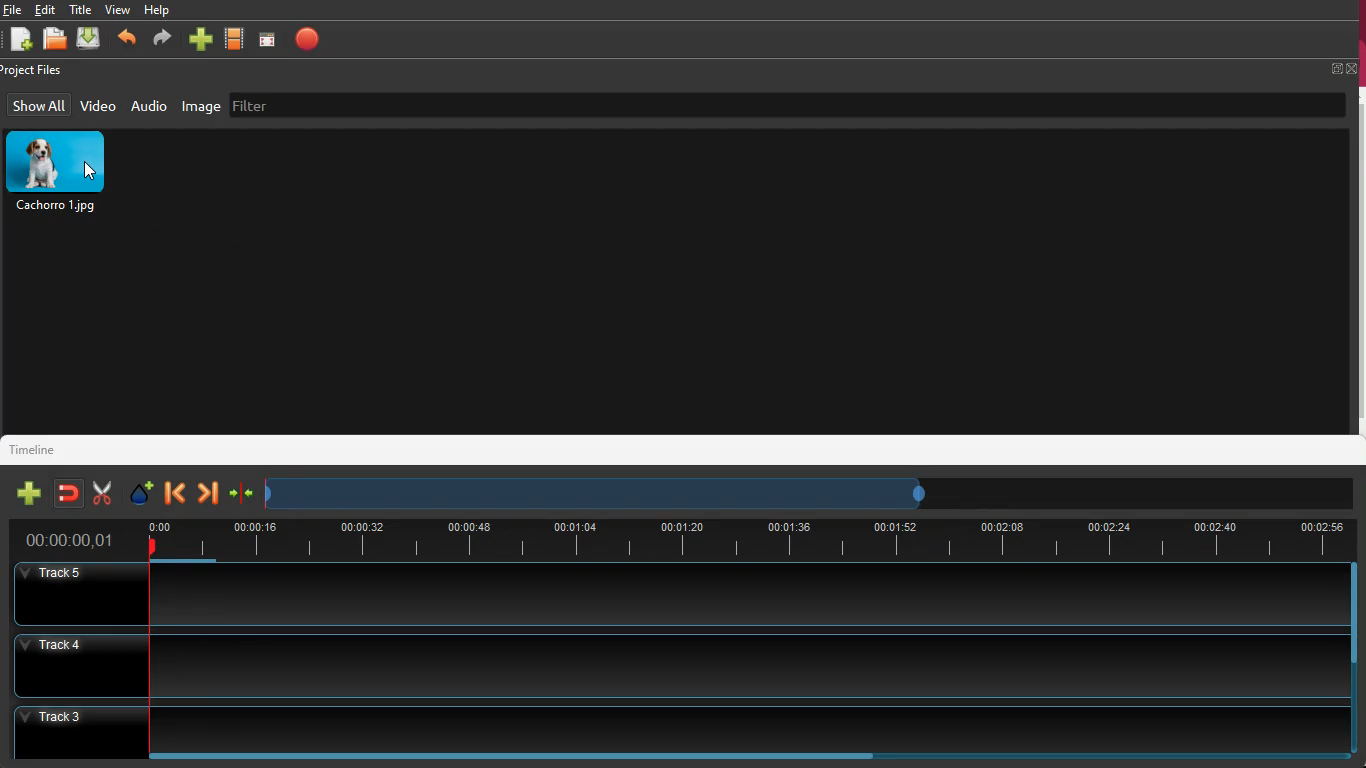 Image resolution: width=1366 pixels, height=768 pixels. I want to click on track, so click(672, 666).